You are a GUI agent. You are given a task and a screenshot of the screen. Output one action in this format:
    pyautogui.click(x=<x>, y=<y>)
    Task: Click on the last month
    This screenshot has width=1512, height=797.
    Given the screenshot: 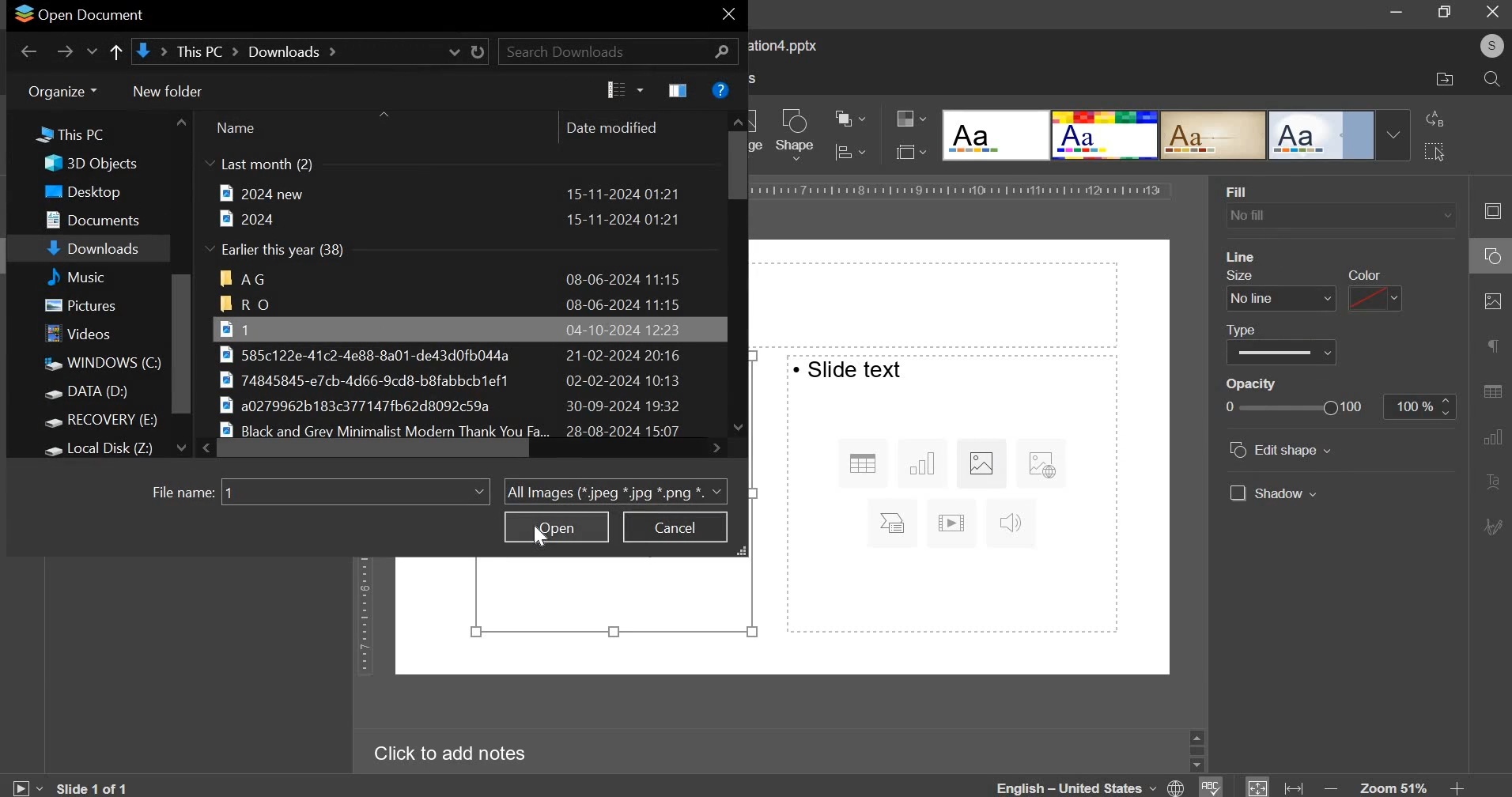 What is the action you would take?
    pyautogui.click(x=259, y=165)
    